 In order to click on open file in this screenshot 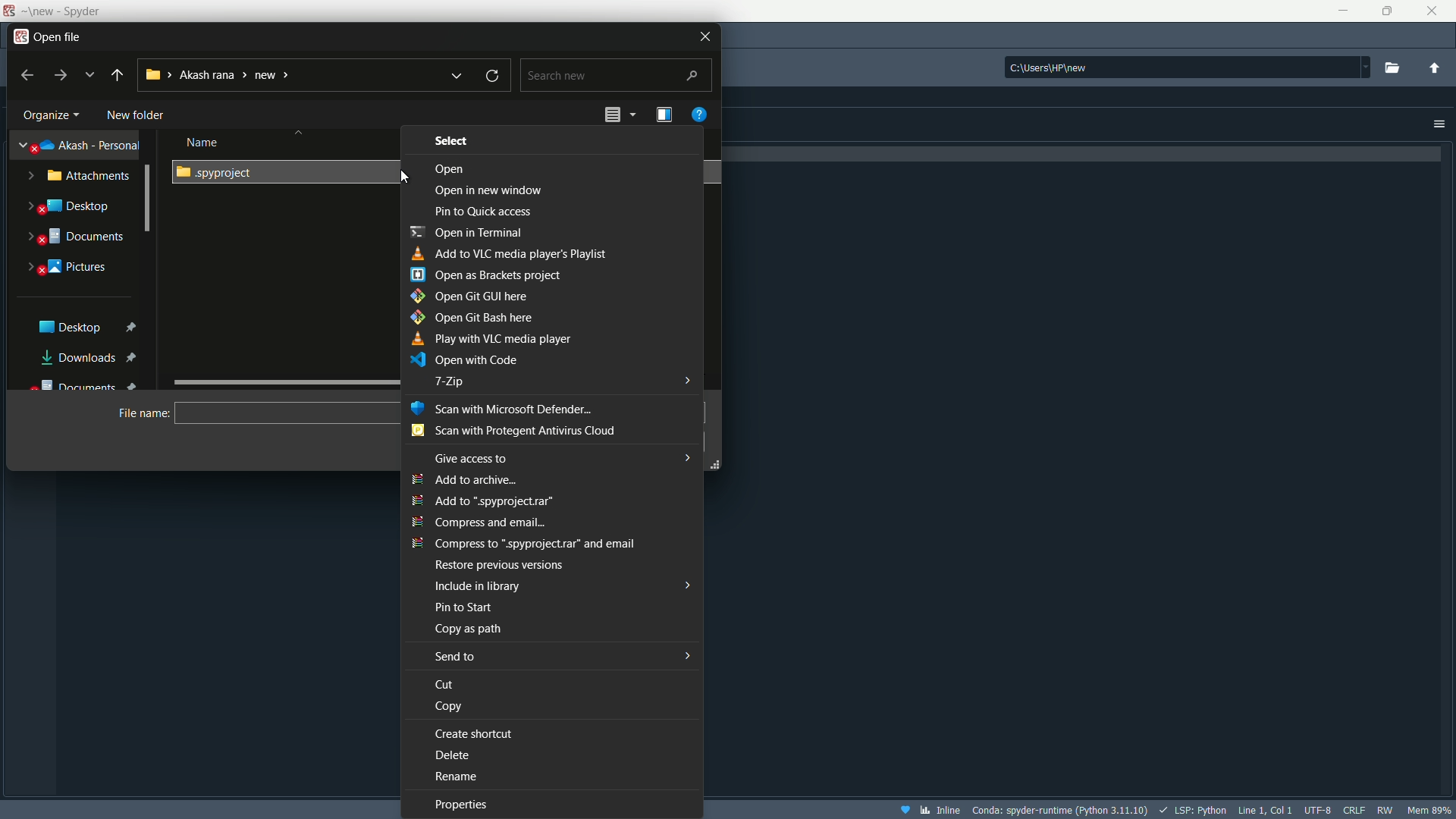, I will do `click(64, 36)`.